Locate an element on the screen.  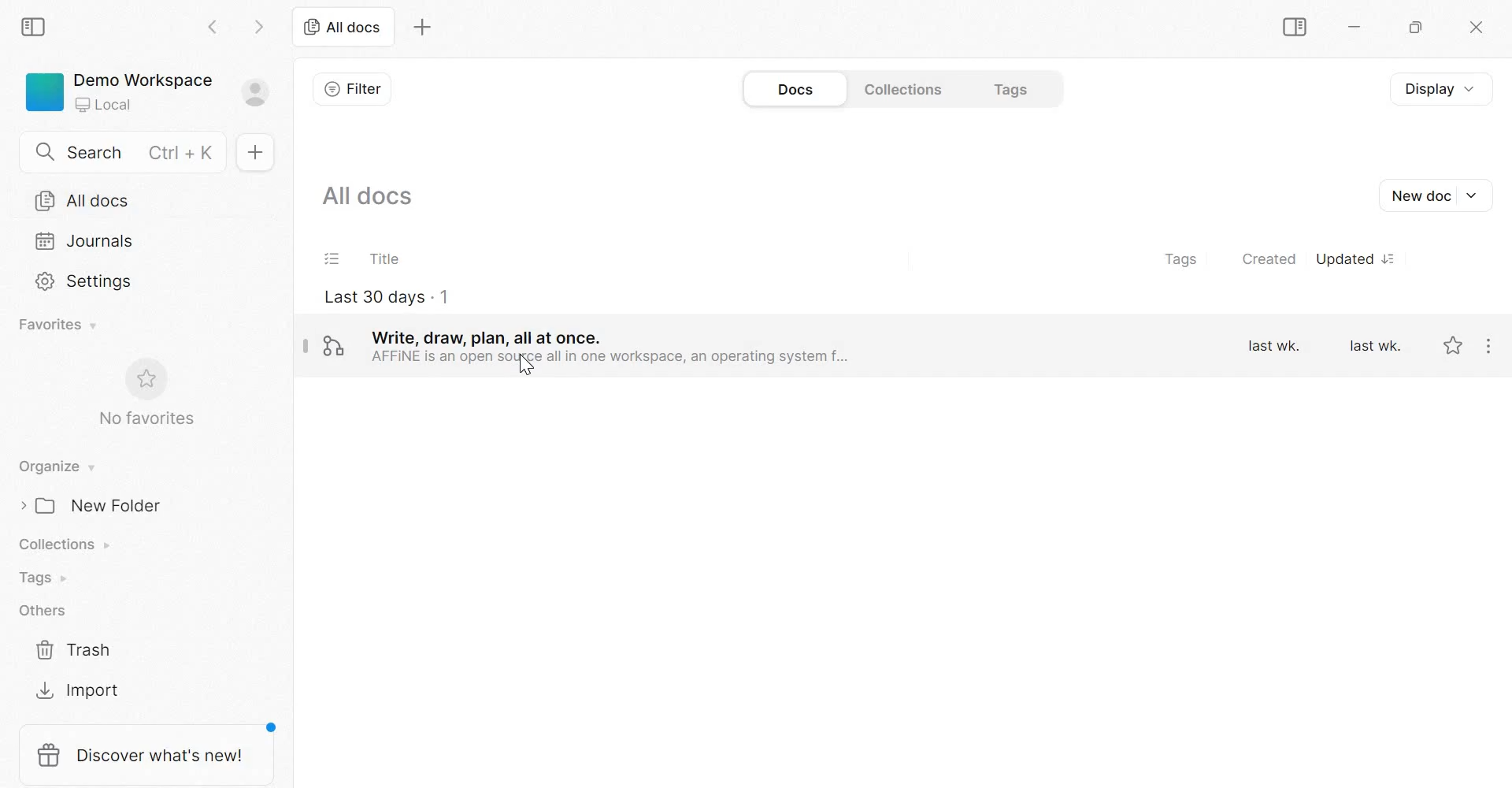
Collections is located at coordinates (65, 543).